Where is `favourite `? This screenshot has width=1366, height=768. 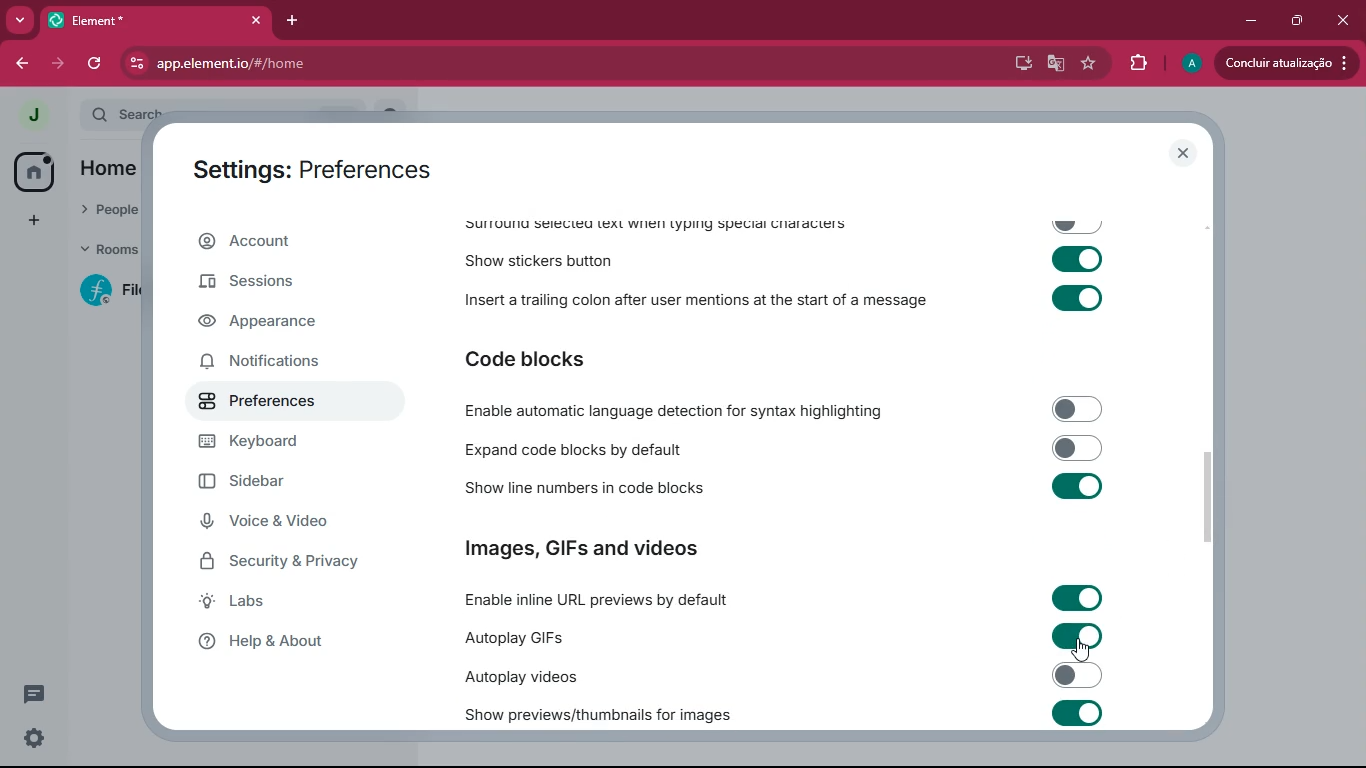 favourite  is located at coordinates (1087, 65).